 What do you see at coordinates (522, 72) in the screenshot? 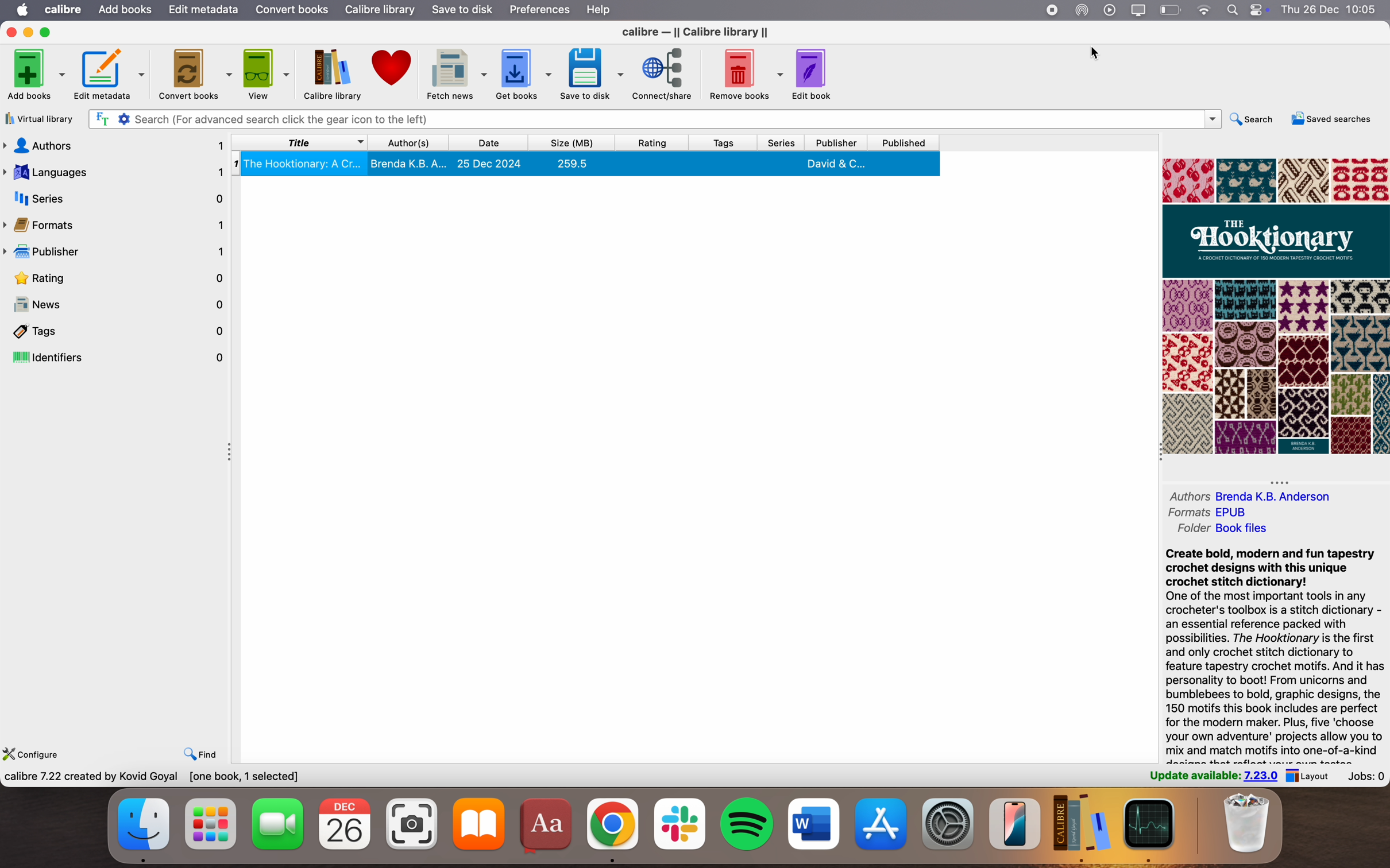
I see `get books` at bounding box center [522, 72].